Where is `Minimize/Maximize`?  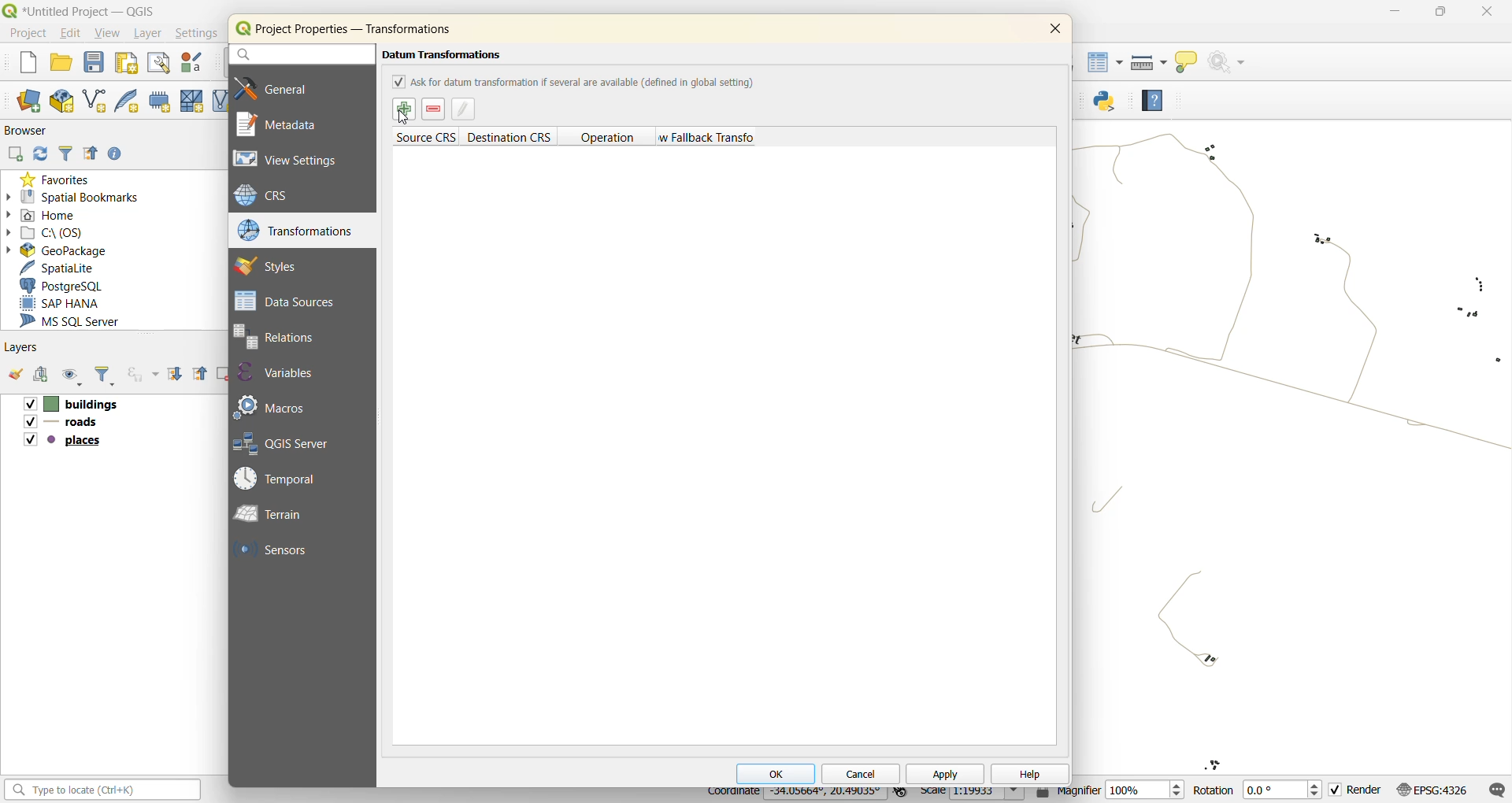 Minimize/Maximize is located at coordinates (1440, 14).